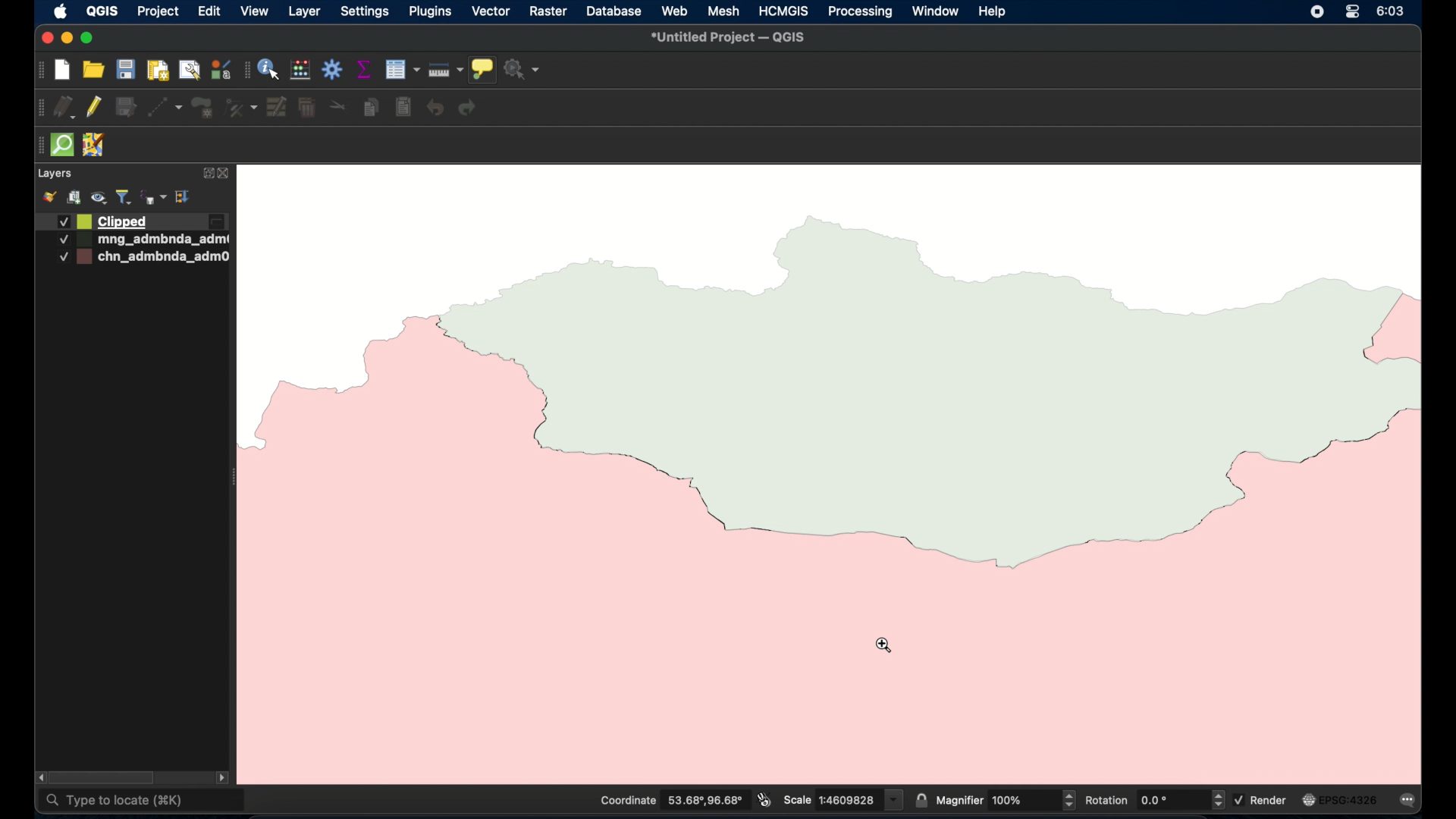 This screenshot has width=1456, height=819. I want to click on manage map theme, so click(100, 198).